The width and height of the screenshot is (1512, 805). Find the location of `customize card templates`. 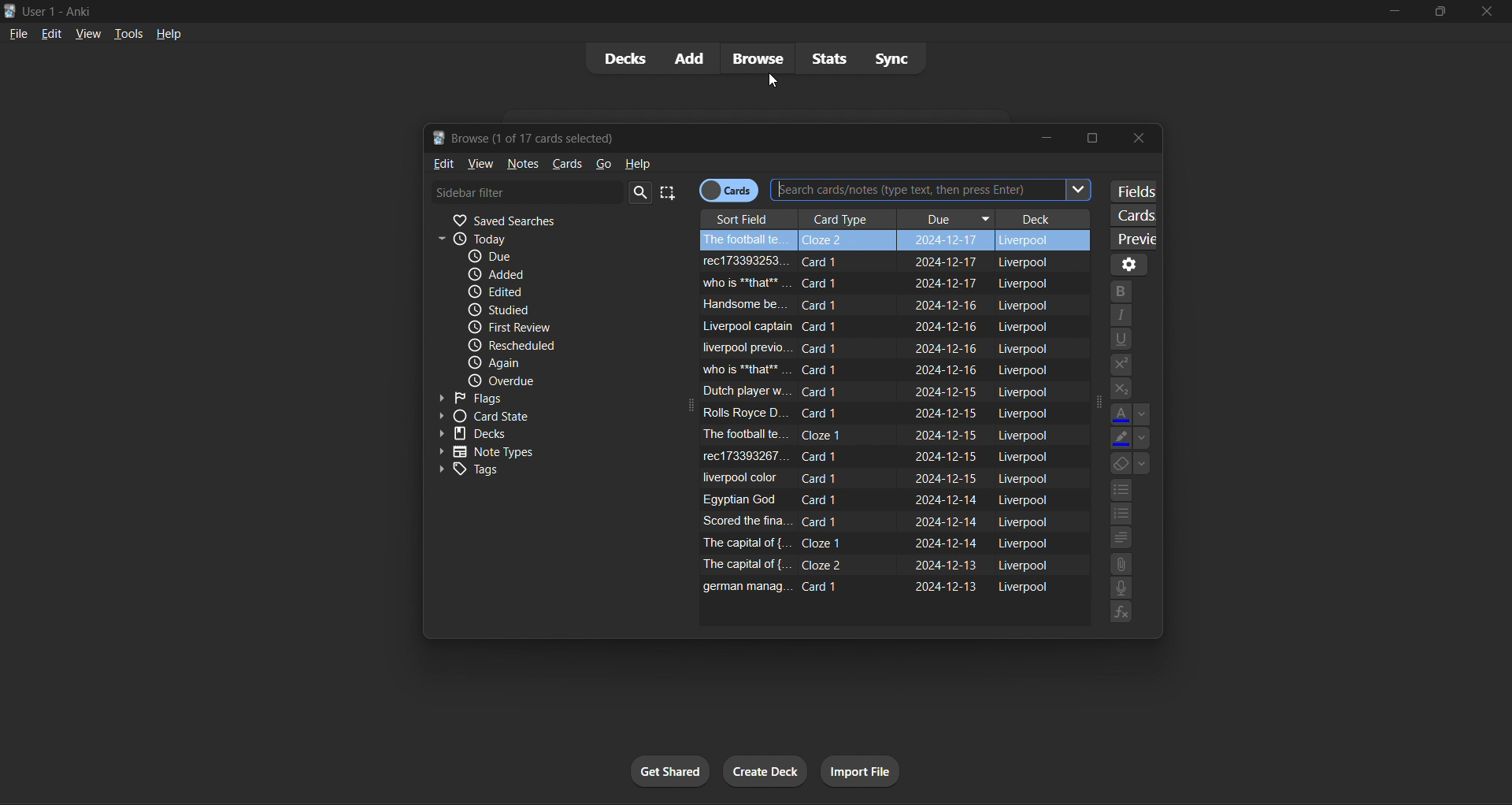

customize card templates is located at coordinates (1135, 215).